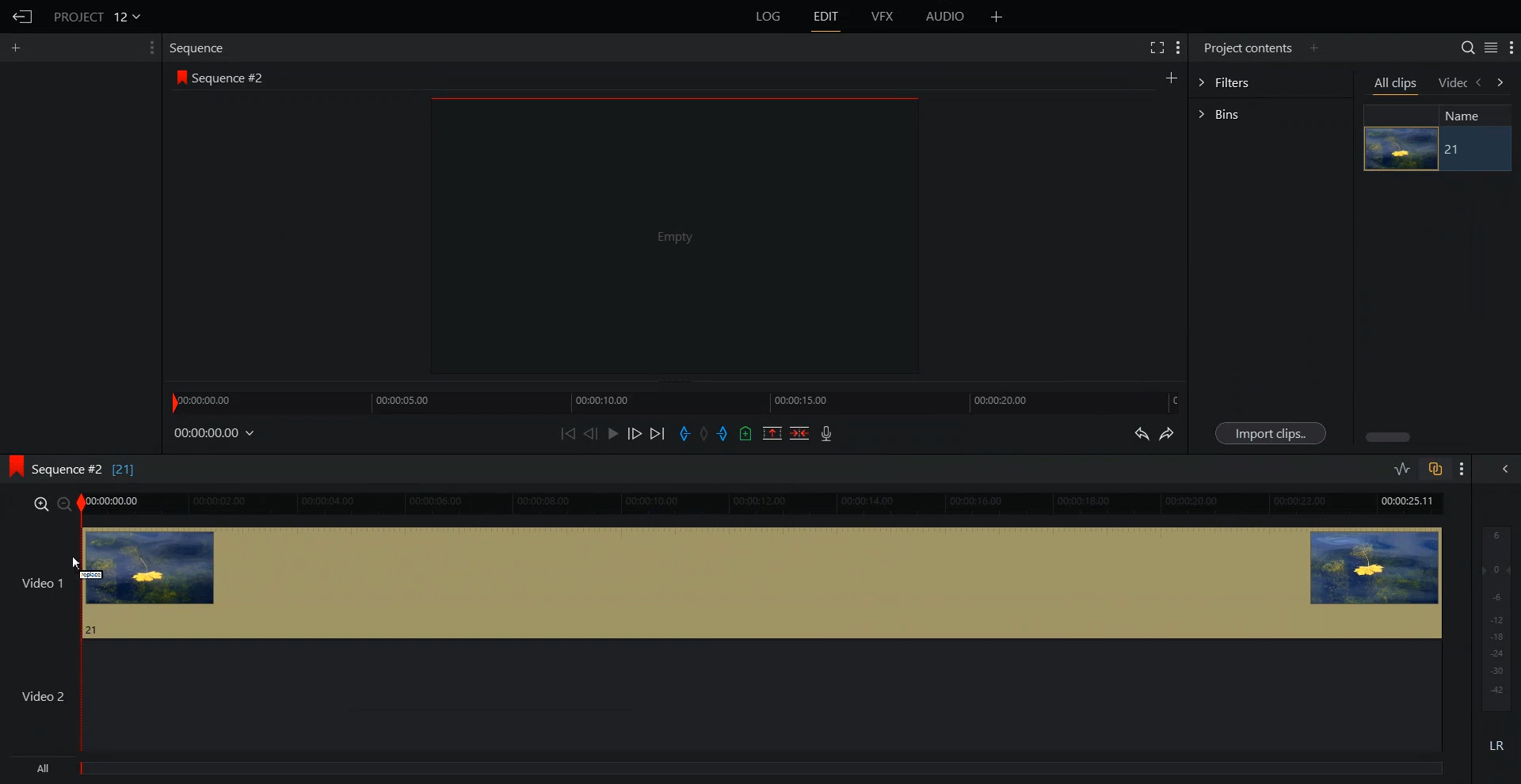 Image resolution: width=1521 pixels, height=784 pixels. Describe the element at coordinates (1453, 84) in the screenshot. I see `Video` at that location.